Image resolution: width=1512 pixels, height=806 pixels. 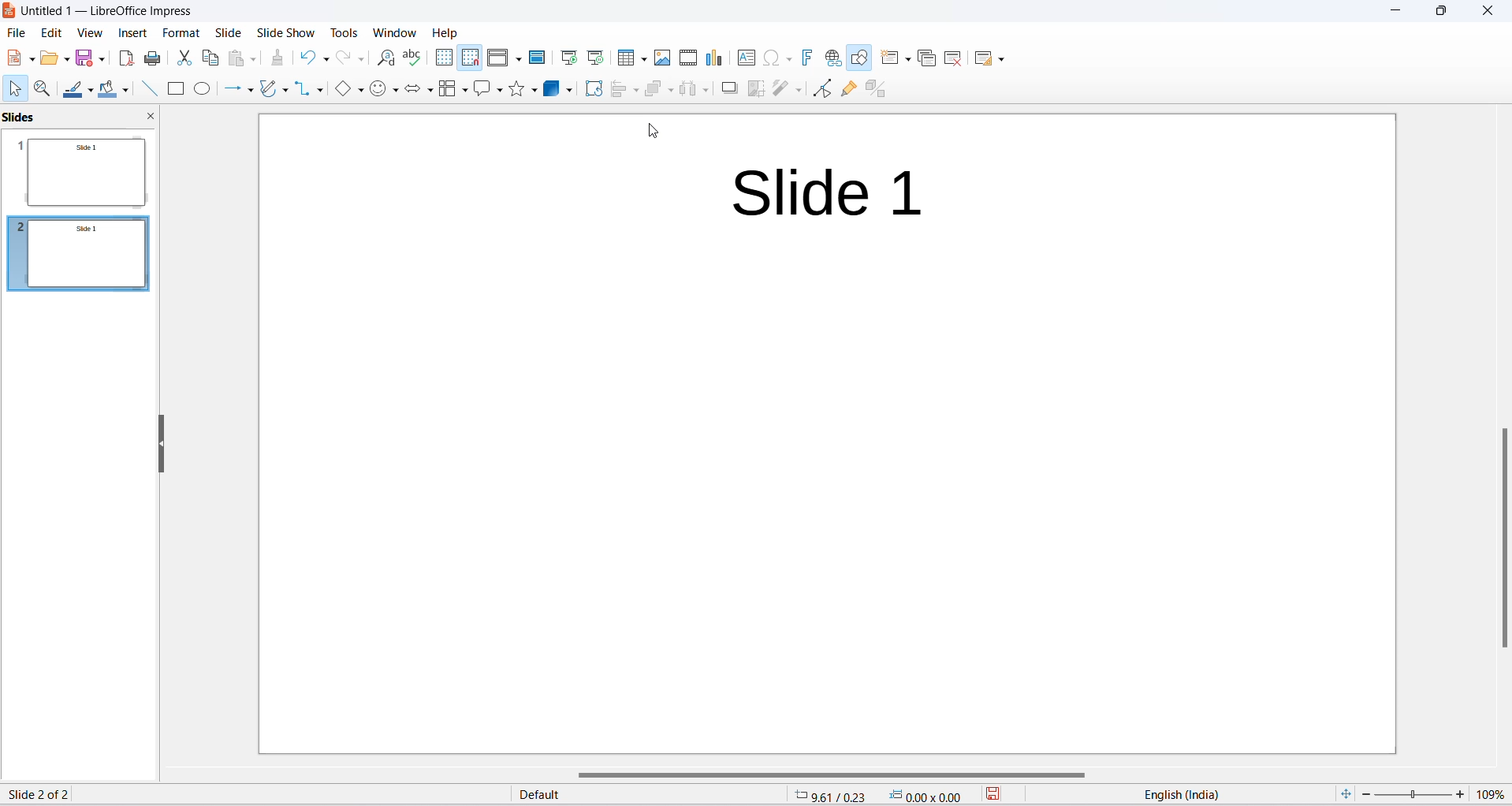 What do you see at coordinates (131, 32) in the screenshot?
I see `insert` at bounding box center [131, 32].